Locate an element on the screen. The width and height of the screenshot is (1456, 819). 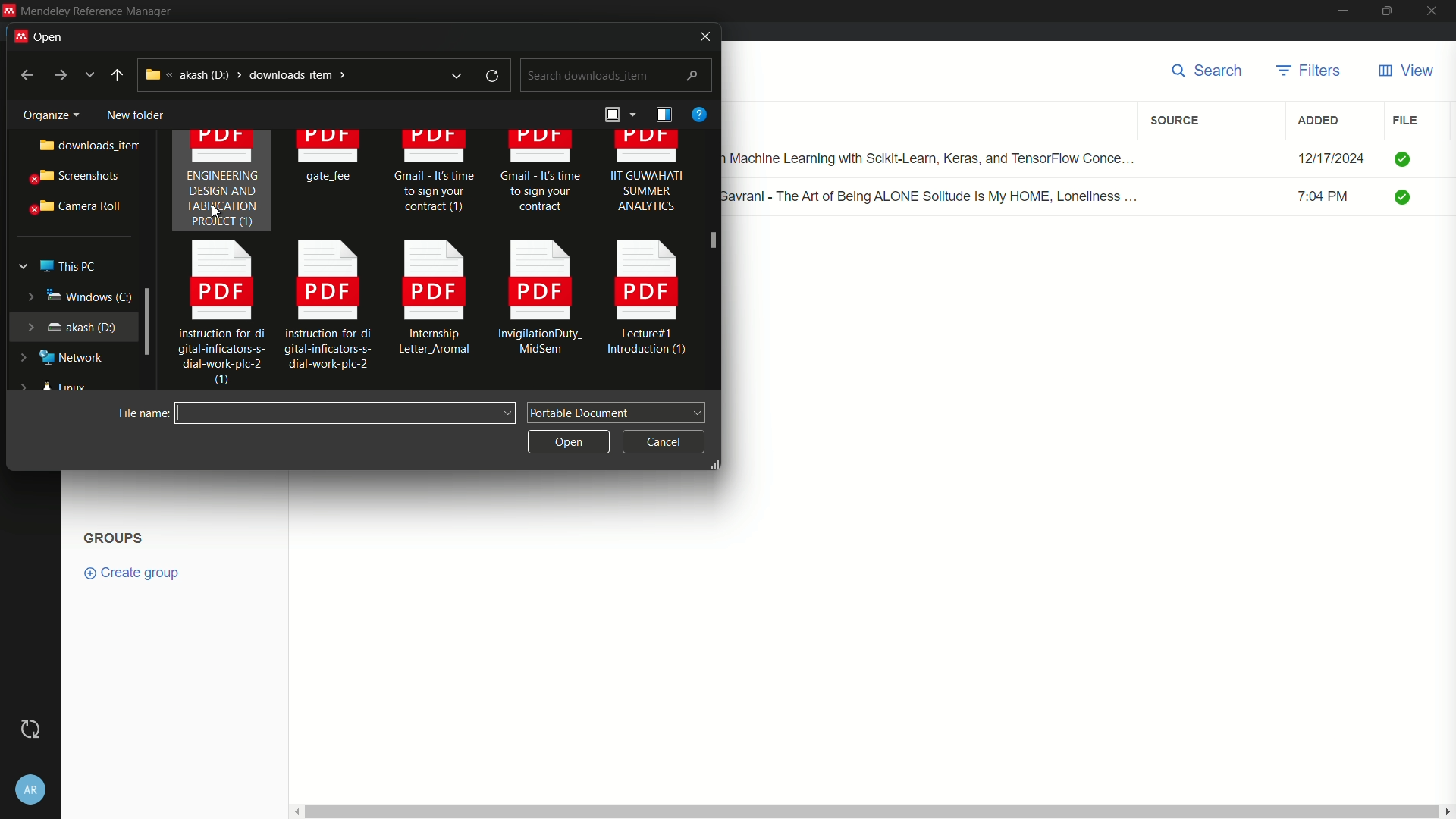
cursor is located at coordinates (218, 215).